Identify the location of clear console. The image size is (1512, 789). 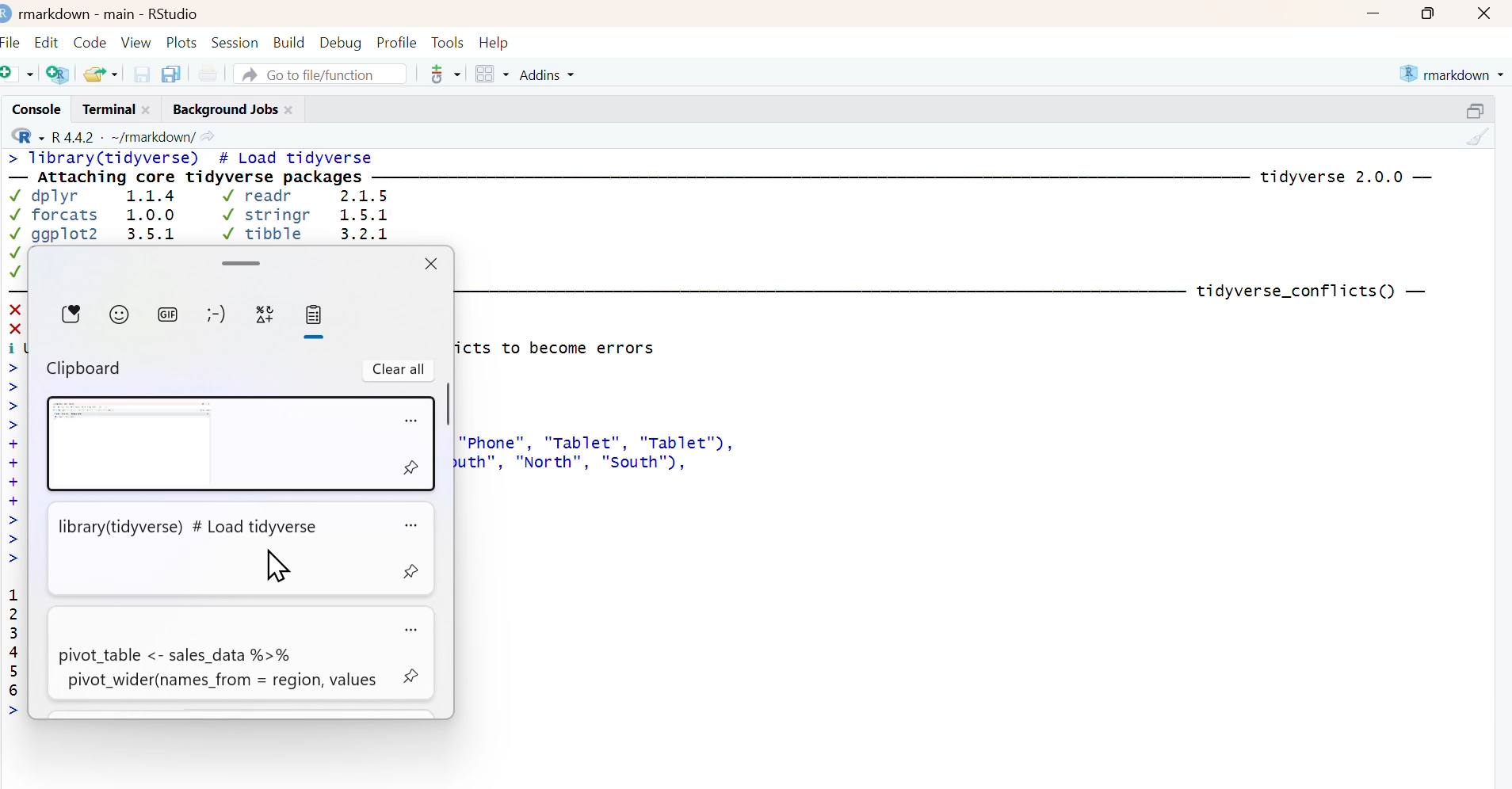
(1480, 135).